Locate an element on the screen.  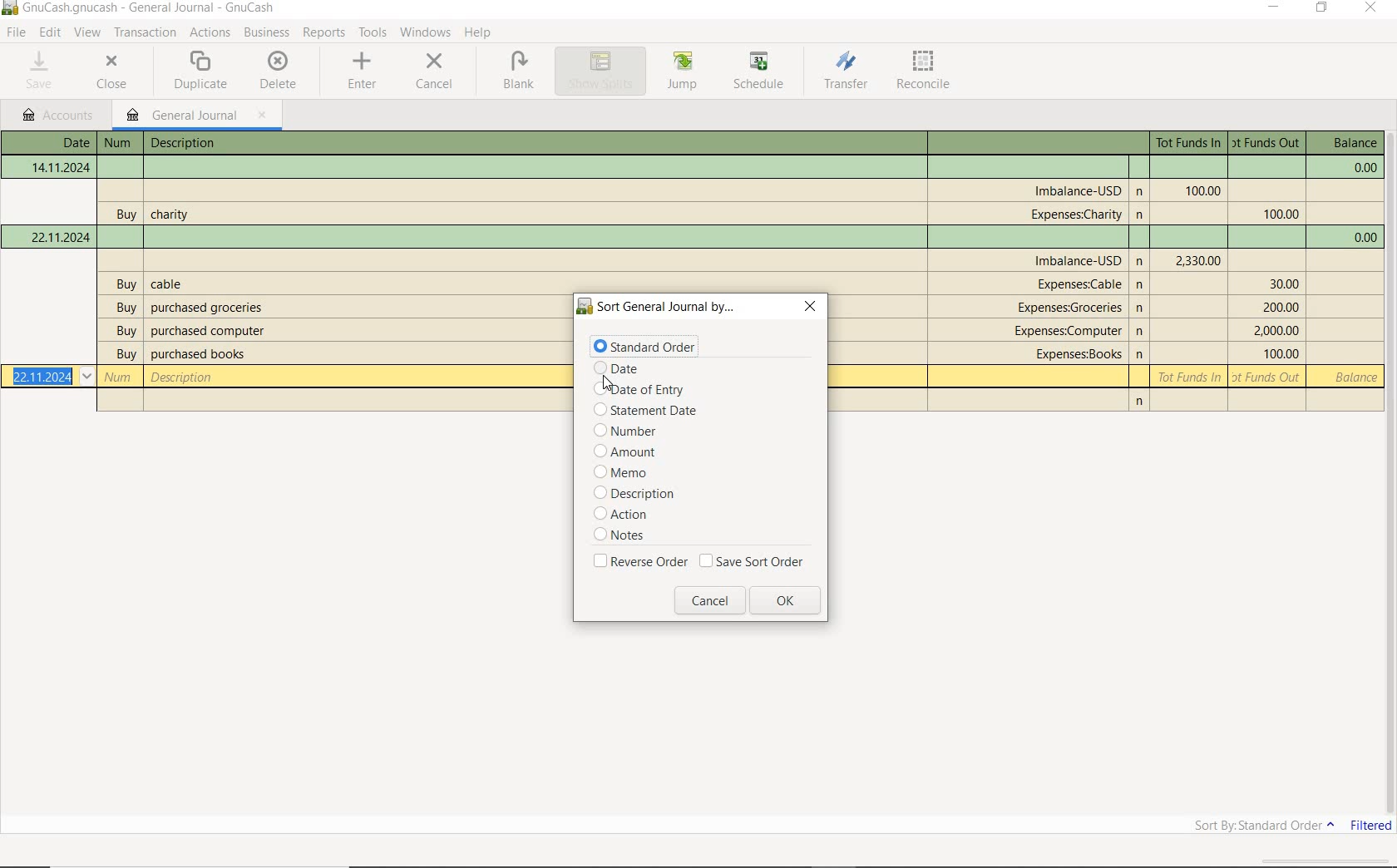
DELETE is located at coordinates (277, 70).